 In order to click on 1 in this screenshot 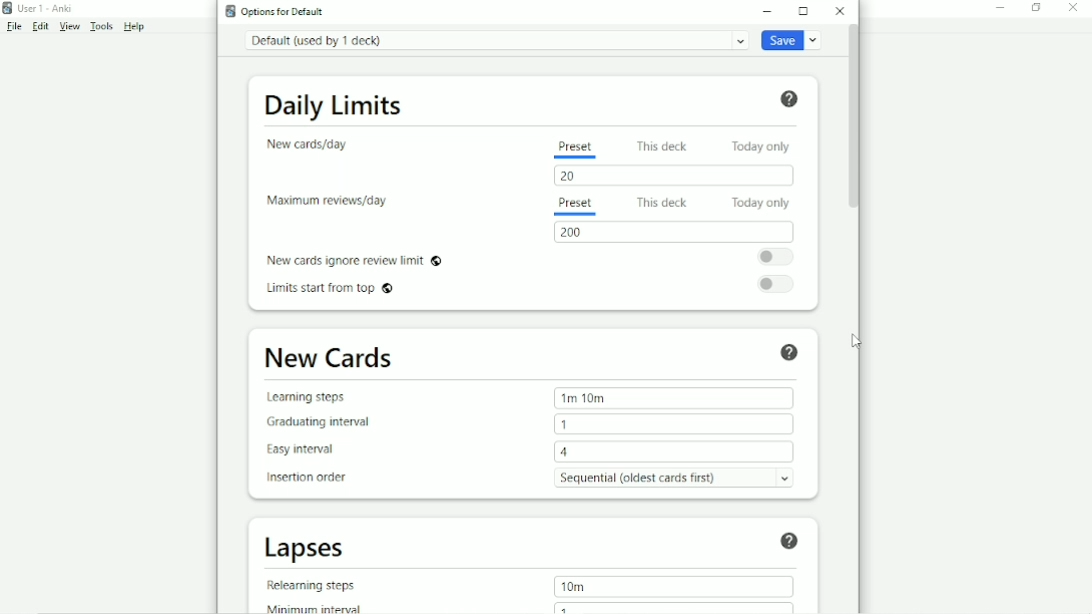, I will do `click(674, 424)`.